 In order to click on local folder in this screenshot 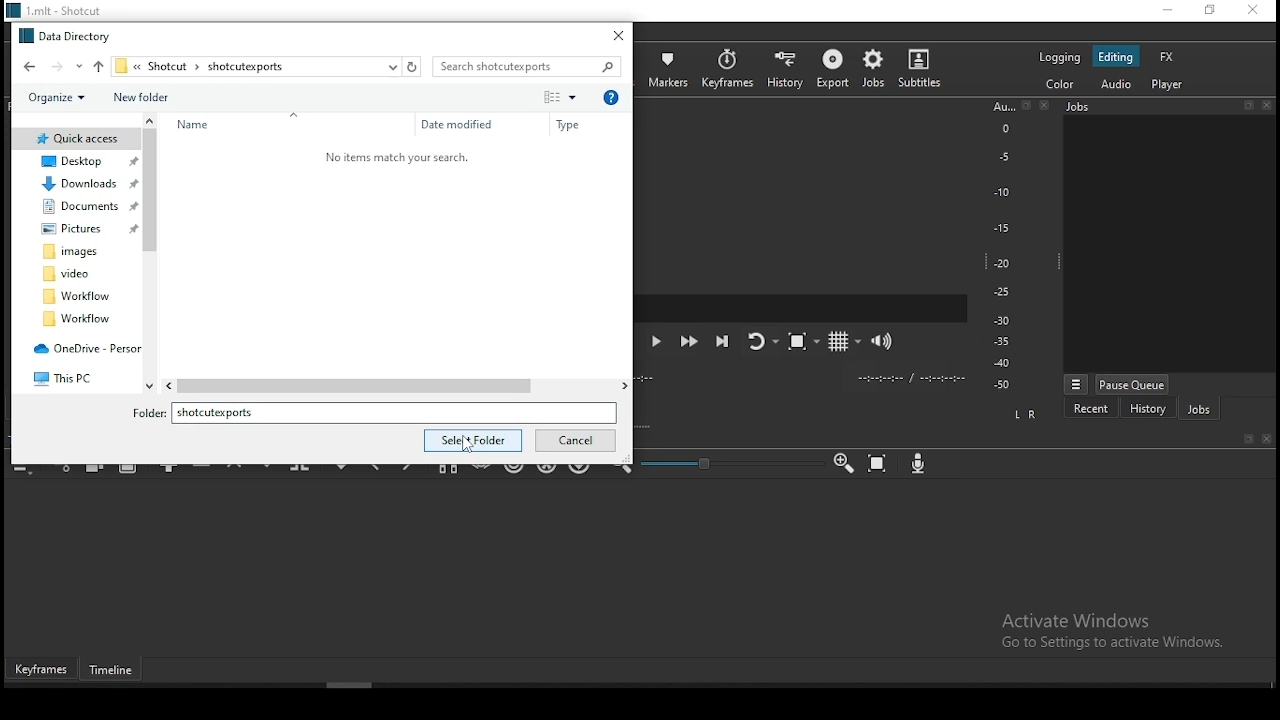, I will do `click(80, 208)`.